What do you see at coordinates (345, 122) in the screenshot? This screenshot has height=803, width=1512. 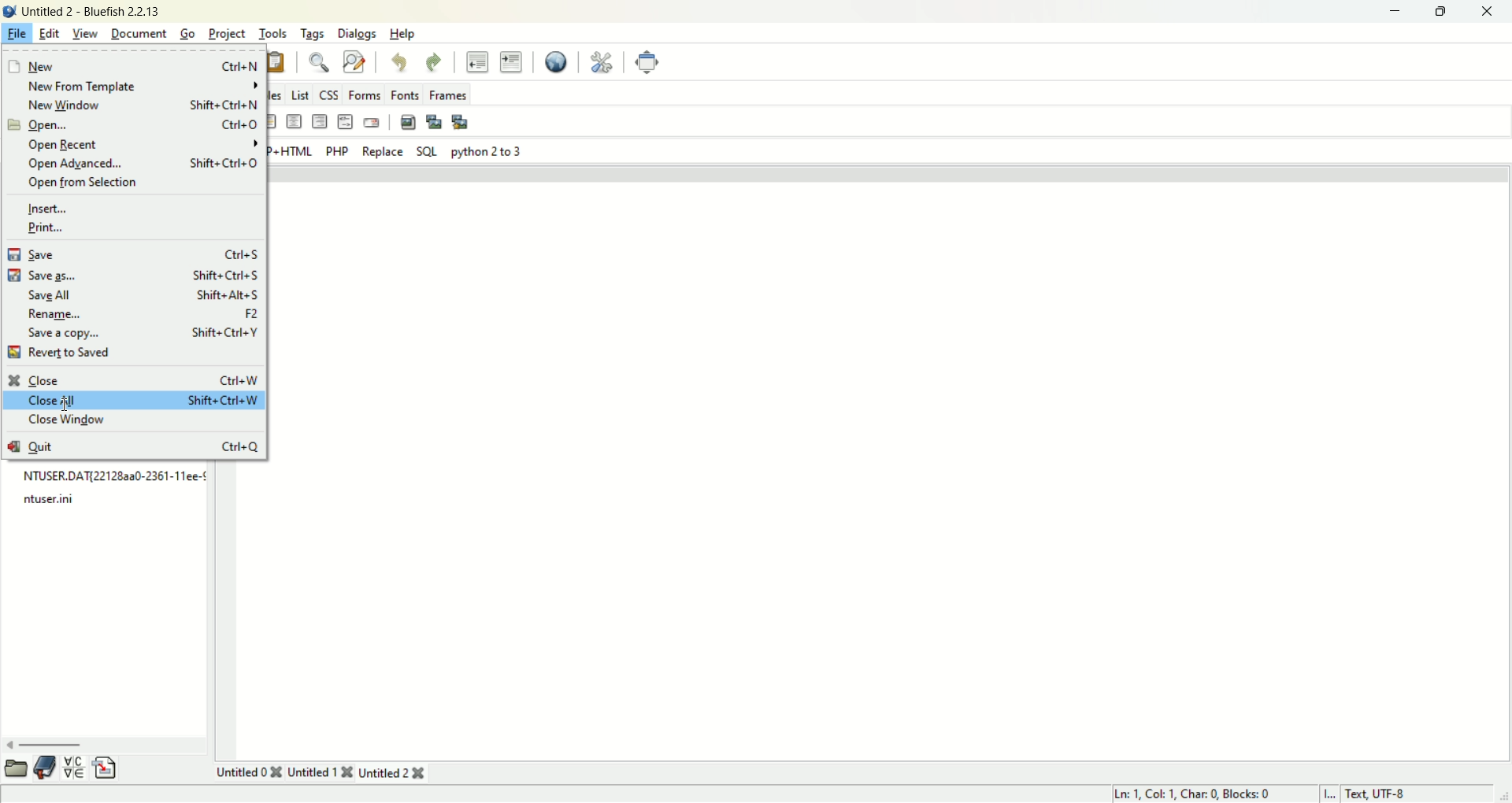 I see `HTML comment` at bounding box center [345, 122].